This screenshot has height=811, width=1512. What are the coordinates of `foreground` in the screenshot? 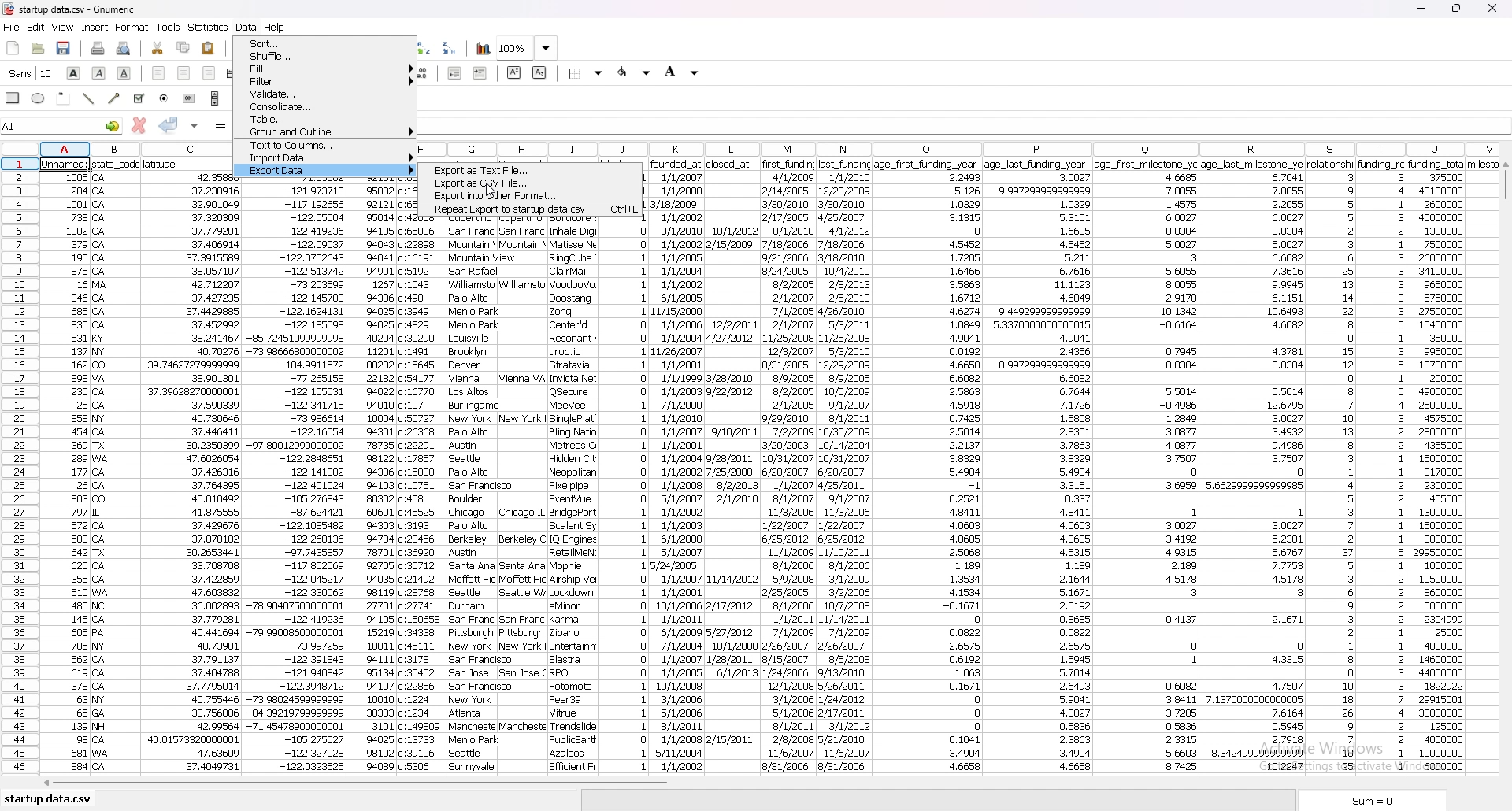 It's located at (635, 72).